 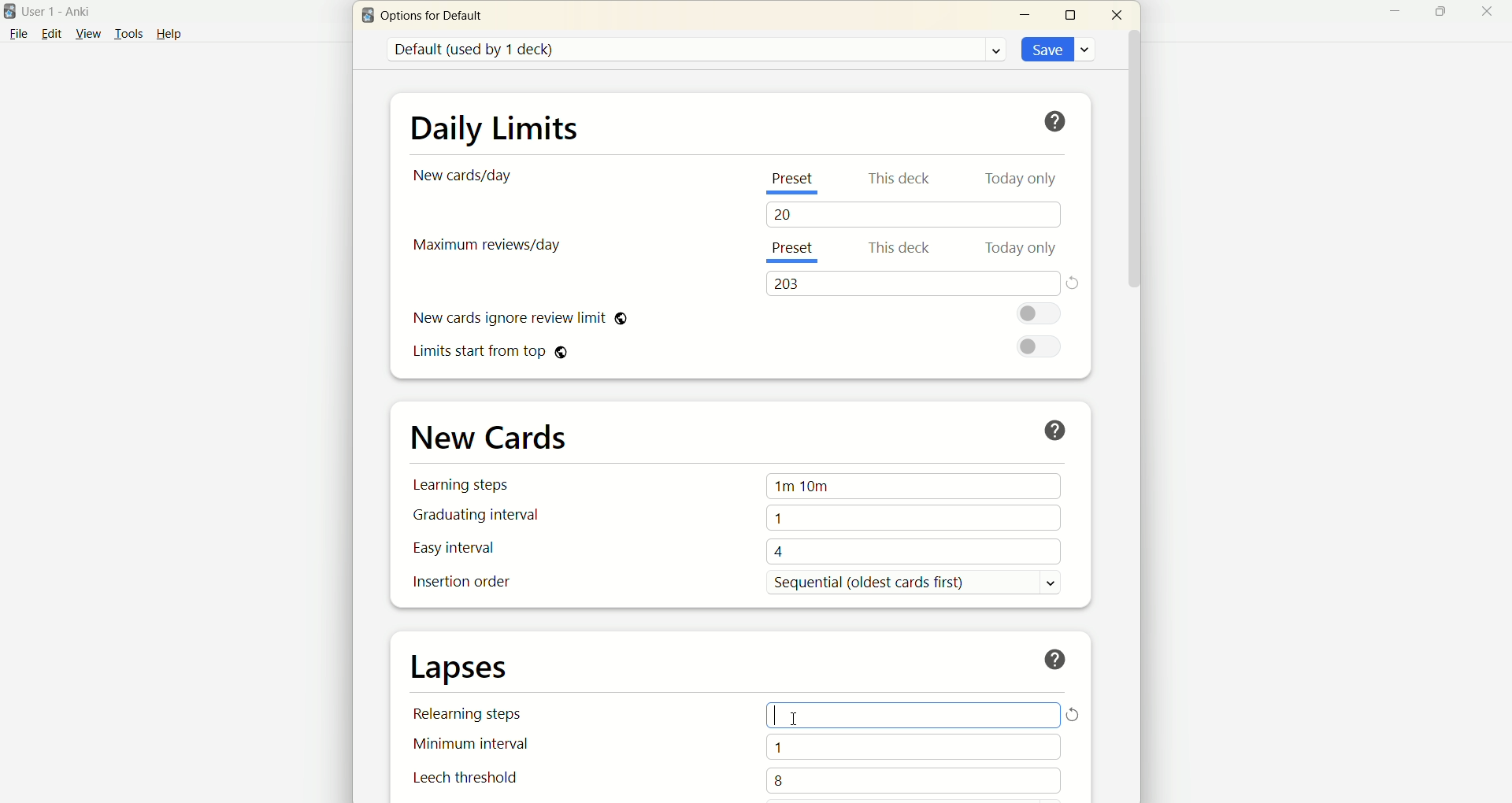 What do you see at coordinates (913, 746) in the screenshot?
I see `1` at bounding box center [913, 746].